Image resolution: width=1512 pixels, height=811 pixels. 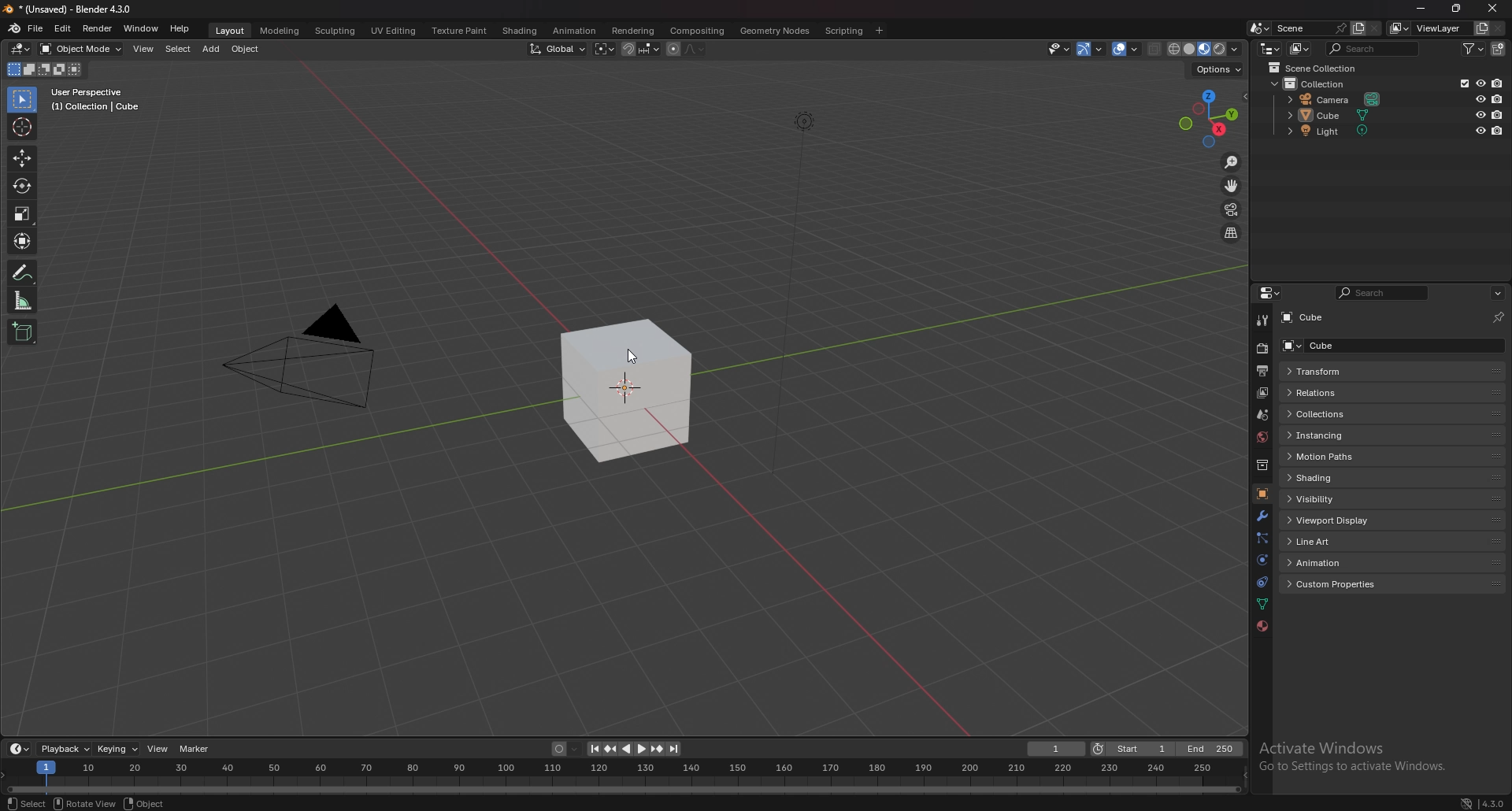 I want to click on render, so click(x=97, y=29).